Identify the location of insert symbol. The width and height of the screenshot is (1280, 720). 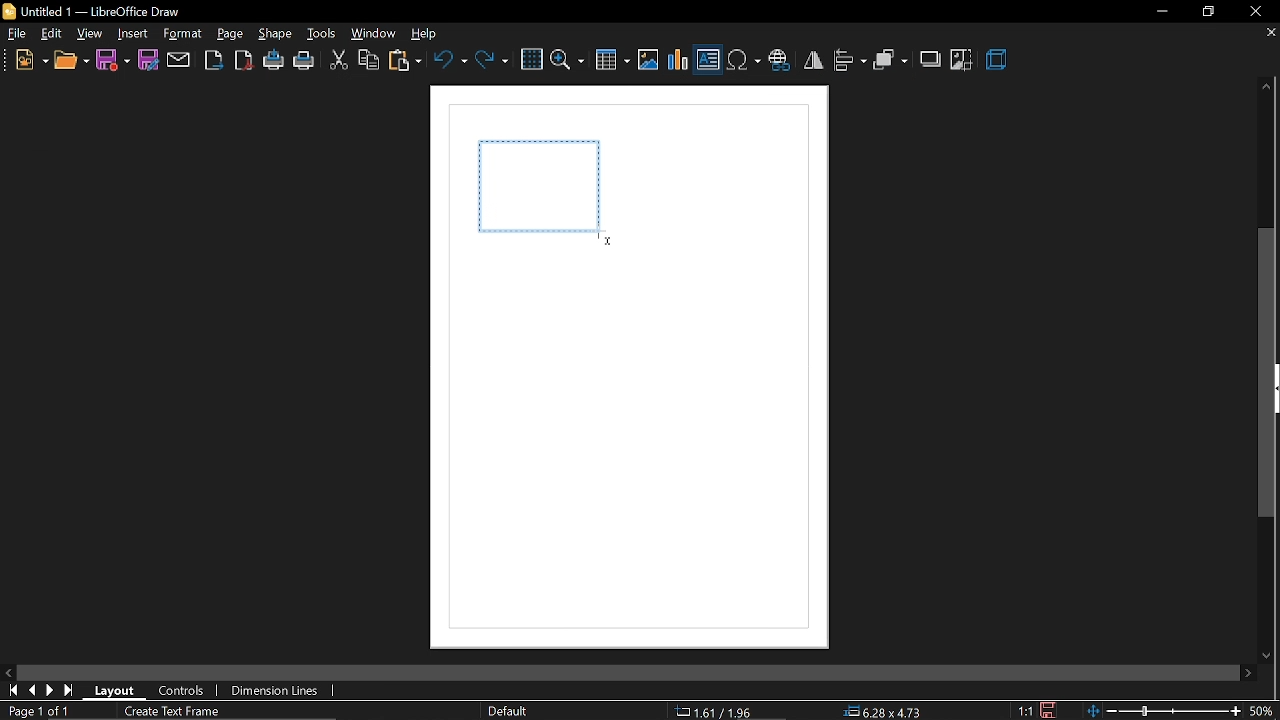
(743, 61).